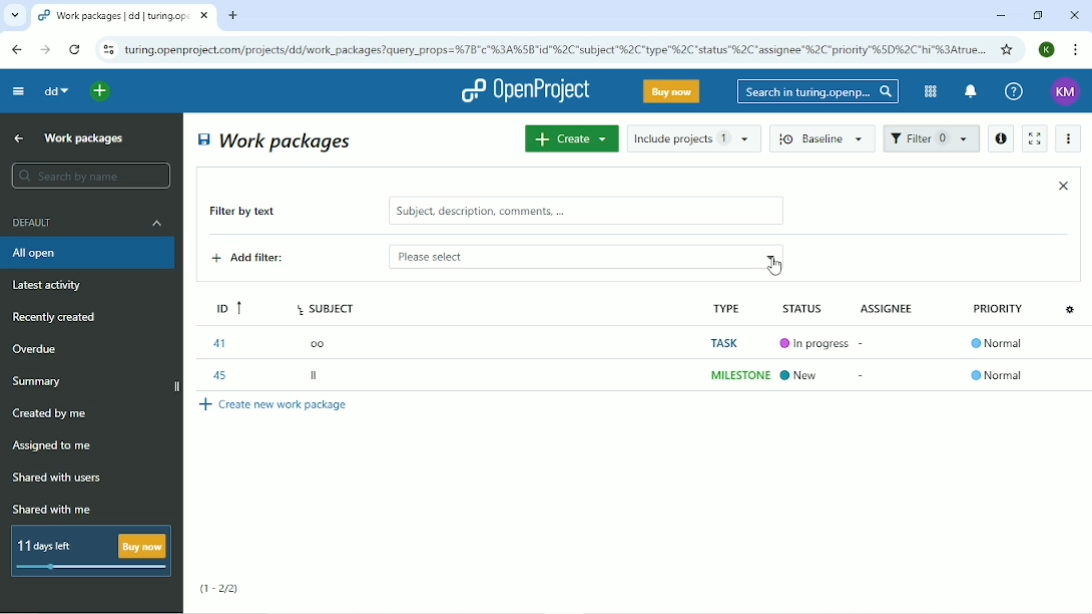 This screenshot has width=1092, height=614. I want to click on Filter 1, so click(931, 140).